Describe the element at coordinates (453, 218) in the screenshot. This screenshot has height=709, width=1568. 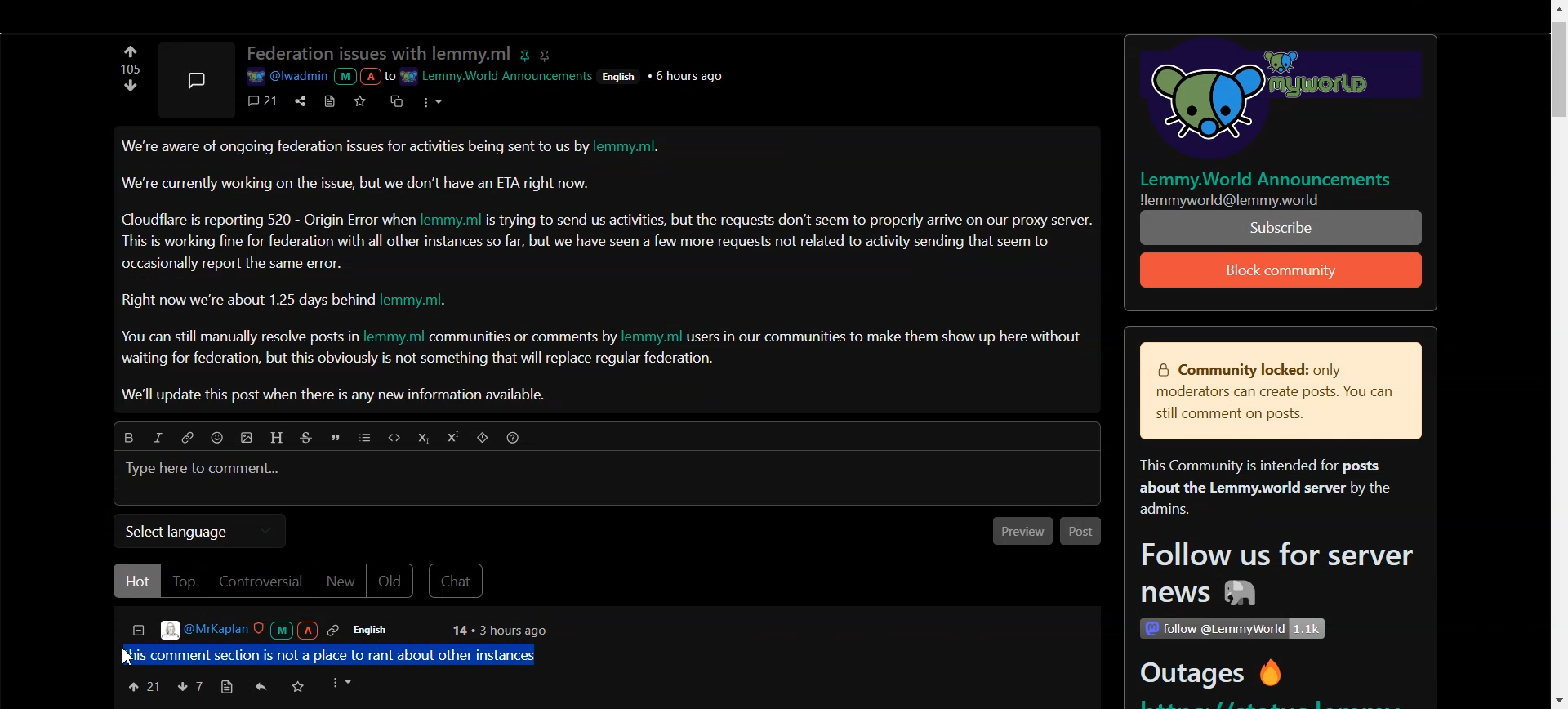
I see `lemmy.ml` at that location.